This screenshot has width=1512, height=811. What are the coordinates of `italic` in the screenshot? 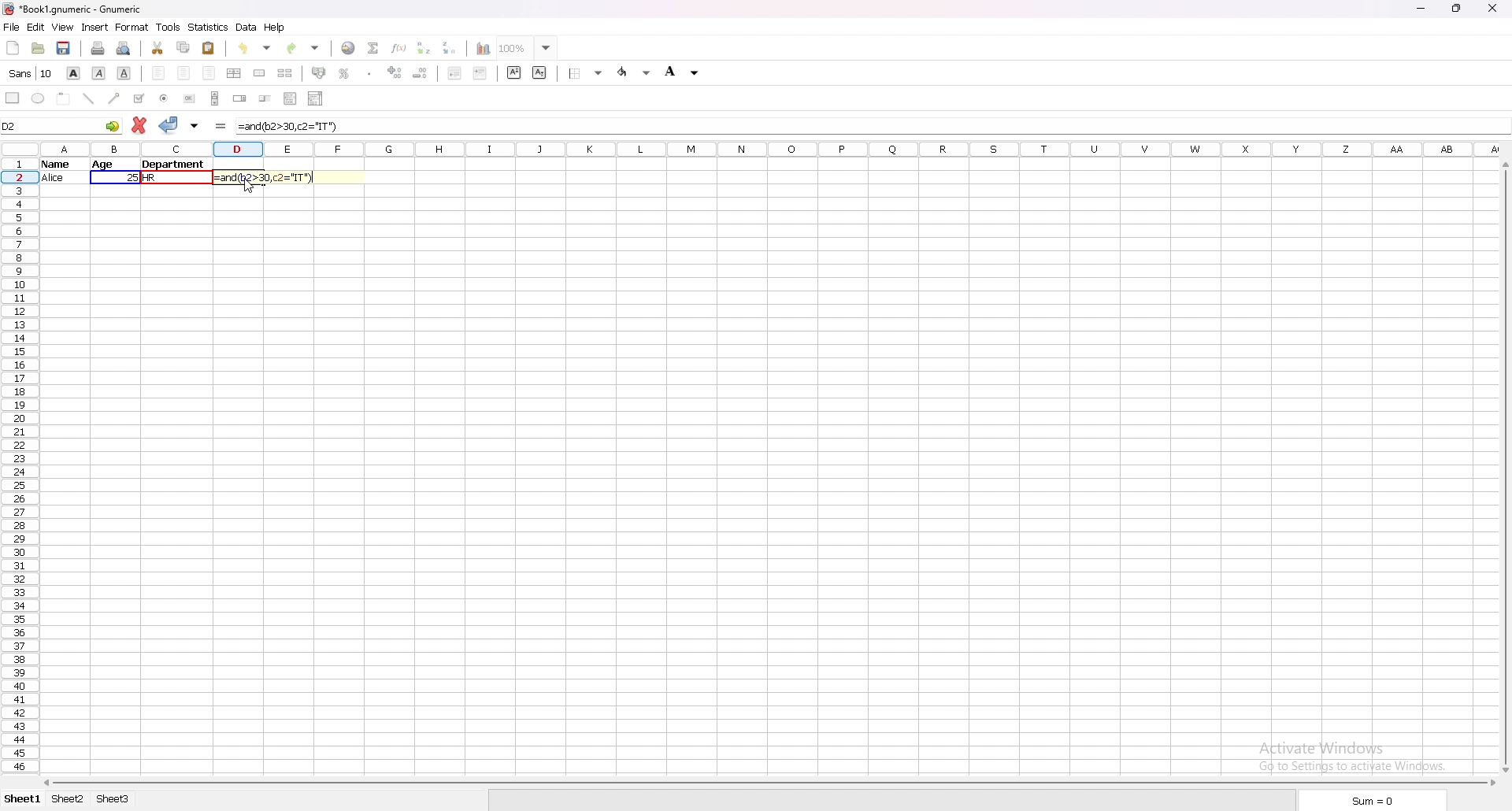 It's located at (99, 73).